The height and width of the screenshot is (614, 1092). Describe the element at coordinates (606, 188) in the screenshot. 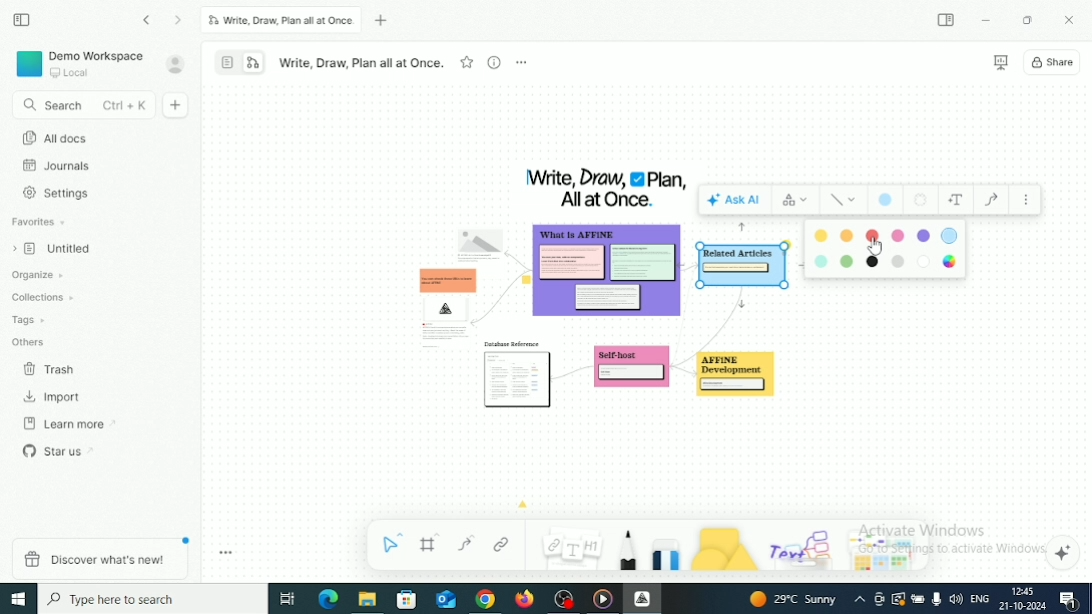

I see `Title` at that location.